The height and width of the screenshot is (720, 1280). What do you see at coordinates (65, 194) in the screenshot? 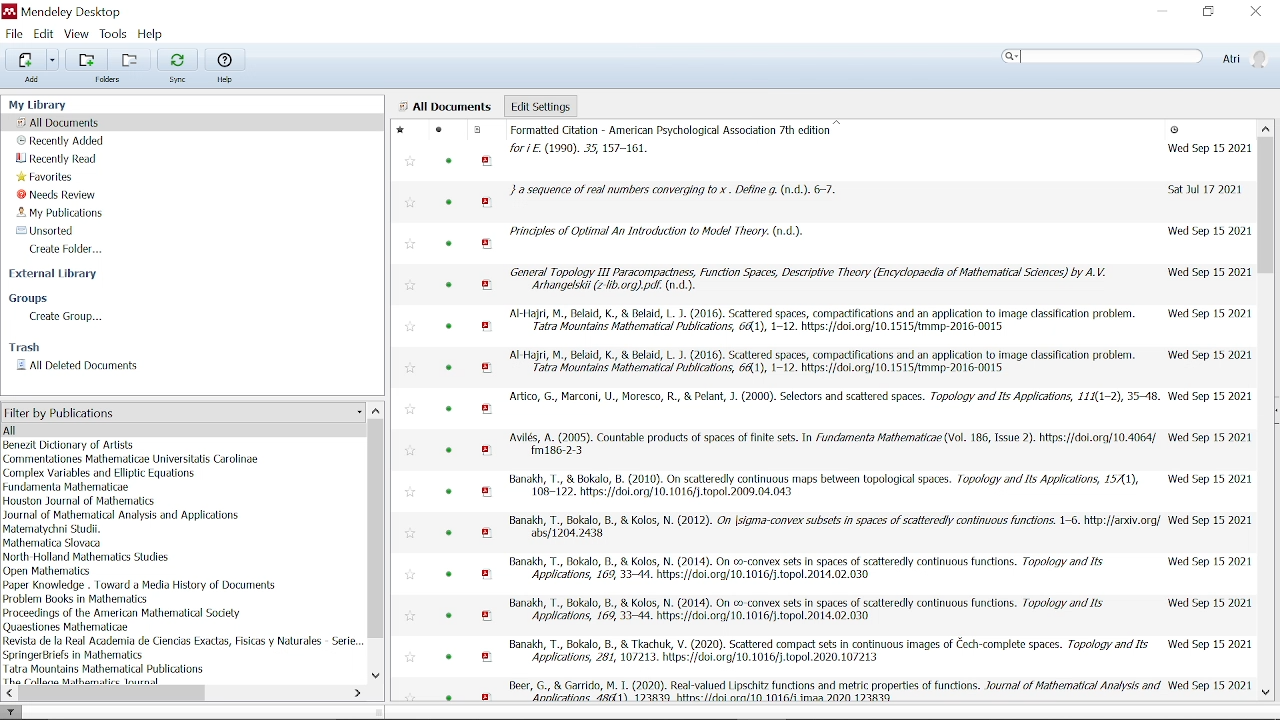
I see `Needs review` at bounding box center [65, 194].